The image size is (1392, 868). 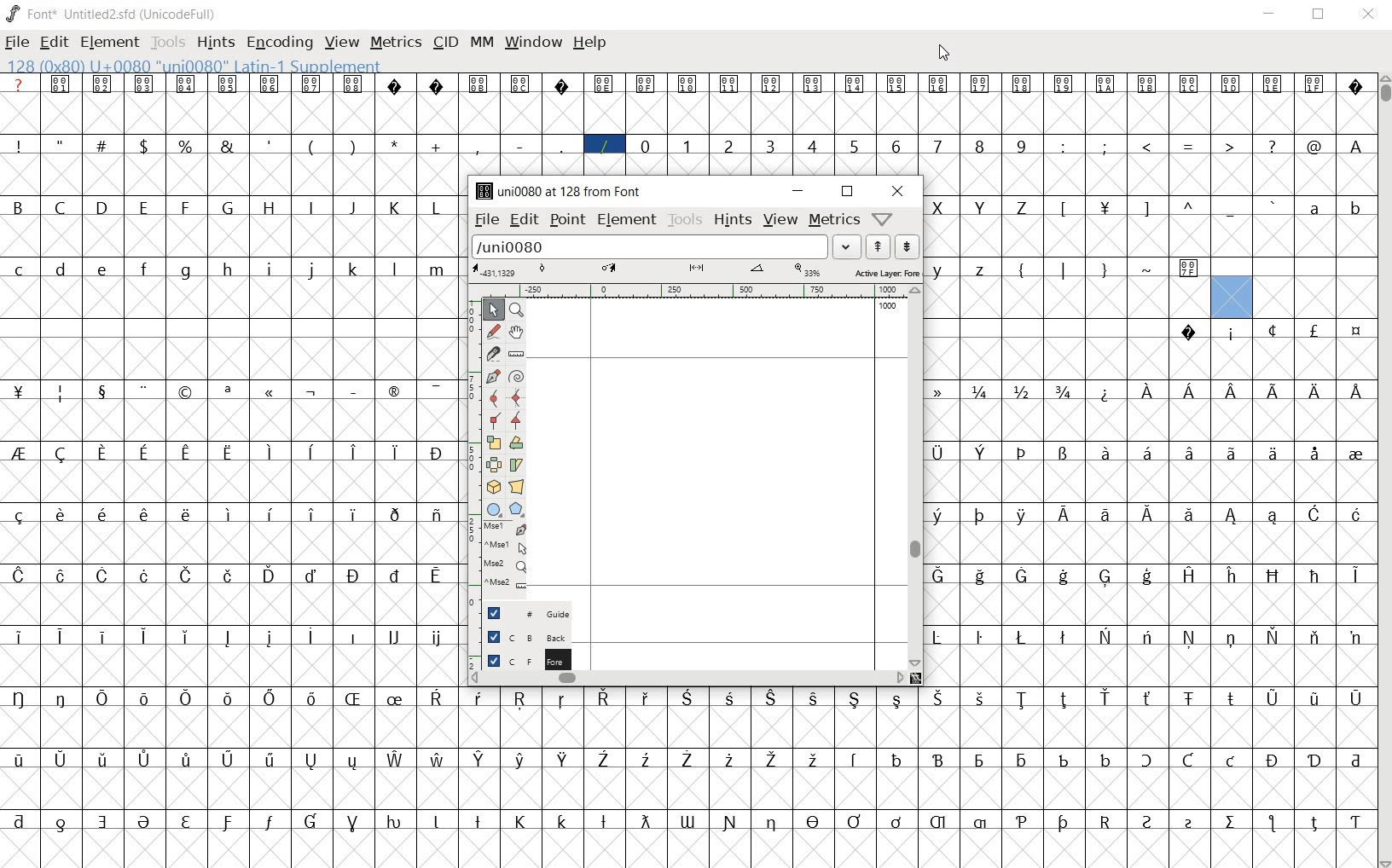 I want to click on glyph, so click(x=1106, y=394).